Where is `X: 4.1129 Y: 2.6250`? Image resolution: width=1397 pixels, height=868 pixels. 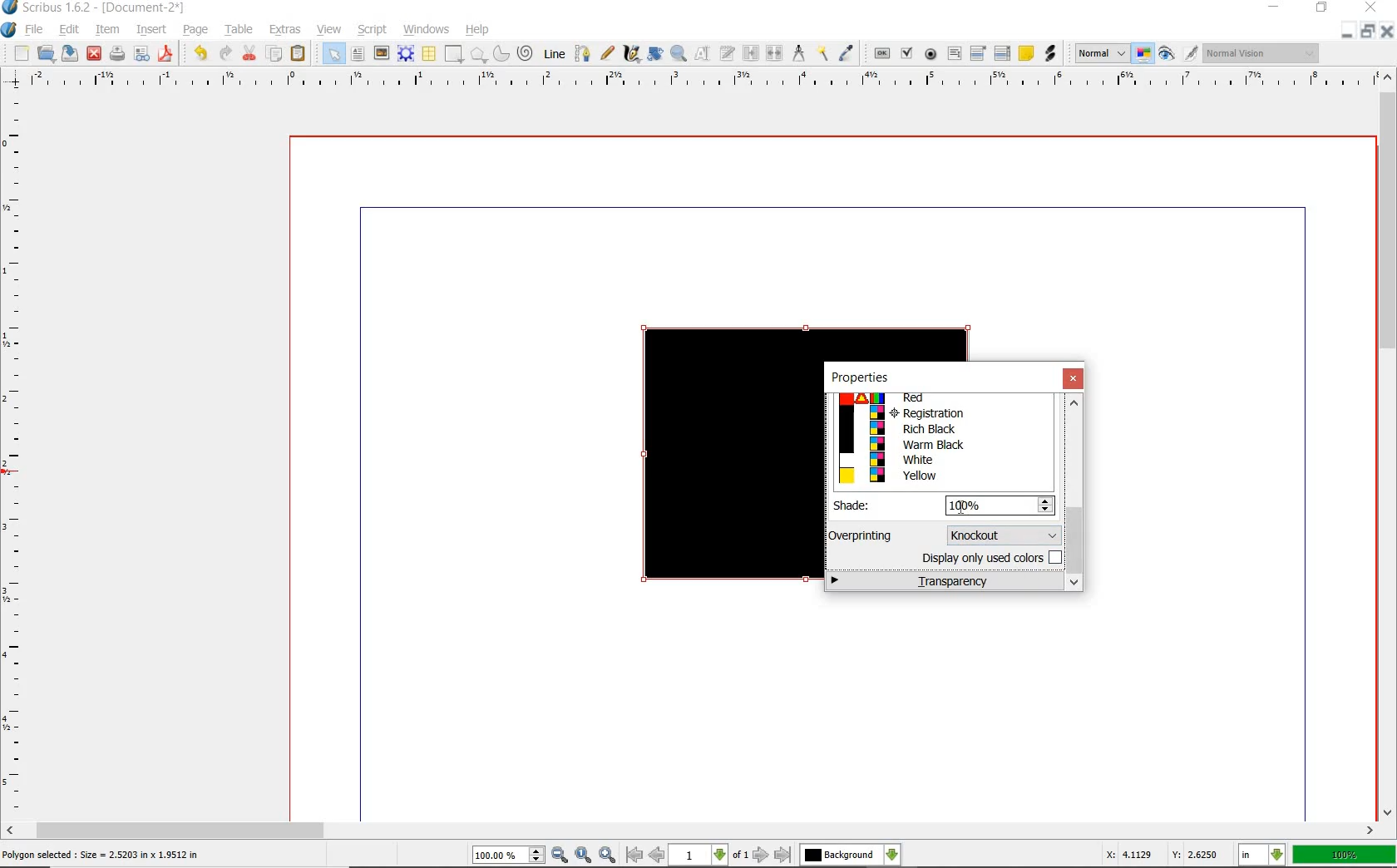 X: 4.1129 Y: 2.6250 is located at coordinates (1163, 854).